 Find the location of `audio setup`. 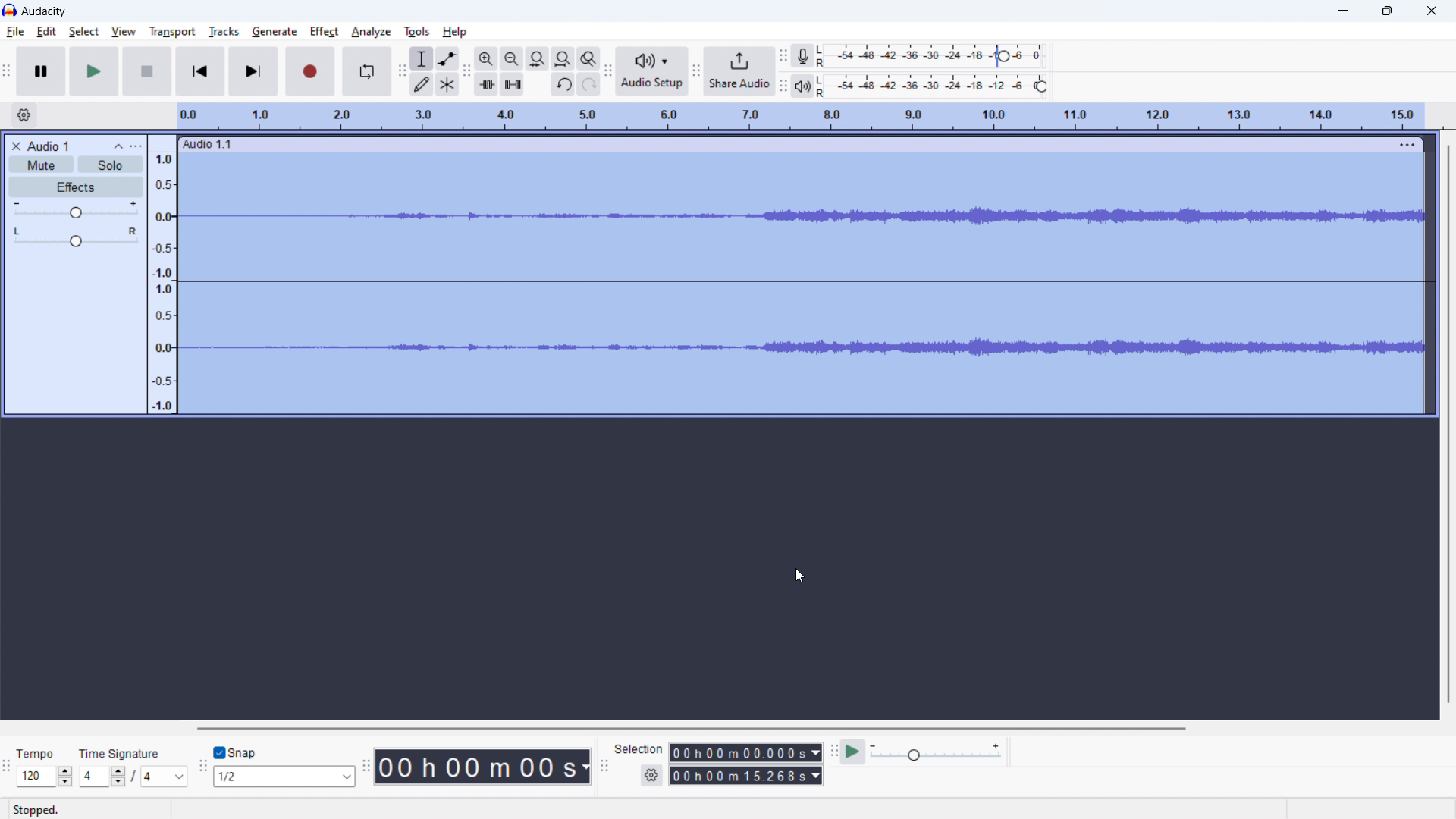

audio setup is located at coordinates (651, 71).